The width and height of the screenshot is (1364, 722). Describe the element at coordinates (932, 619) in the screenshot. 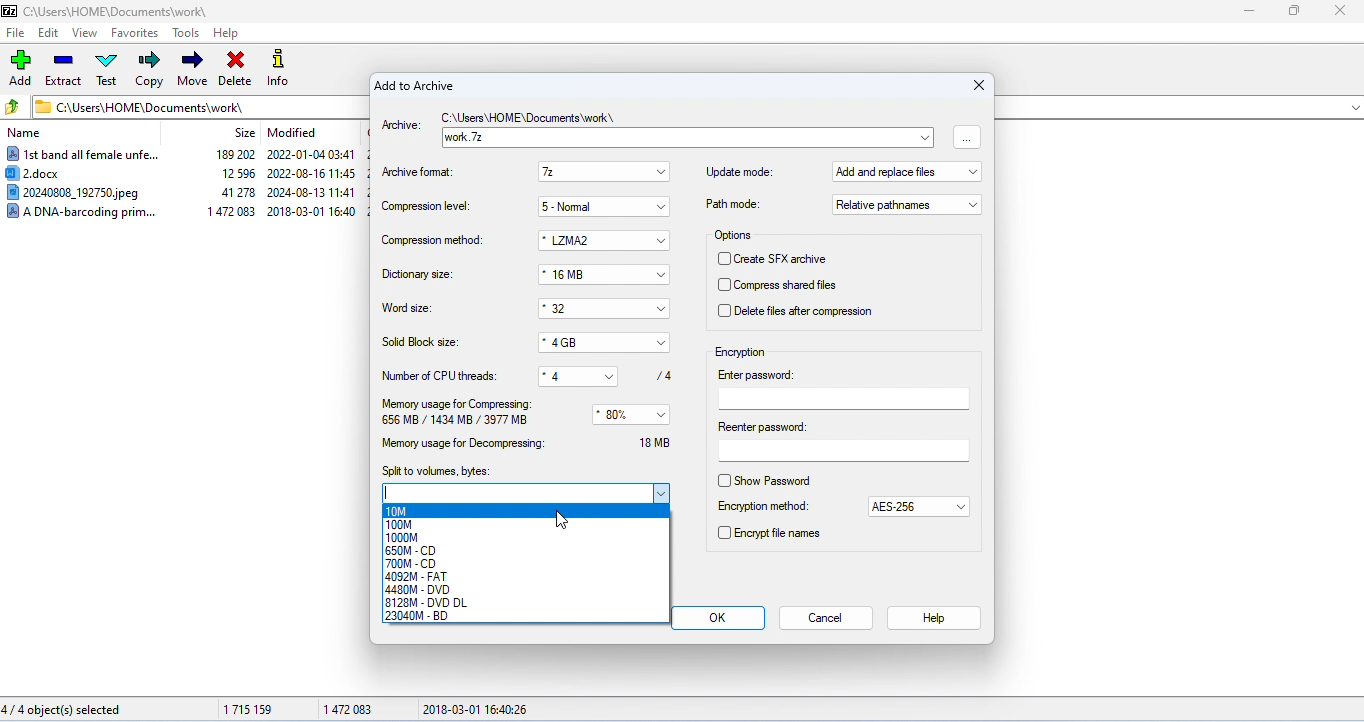

I see `help` at that location.